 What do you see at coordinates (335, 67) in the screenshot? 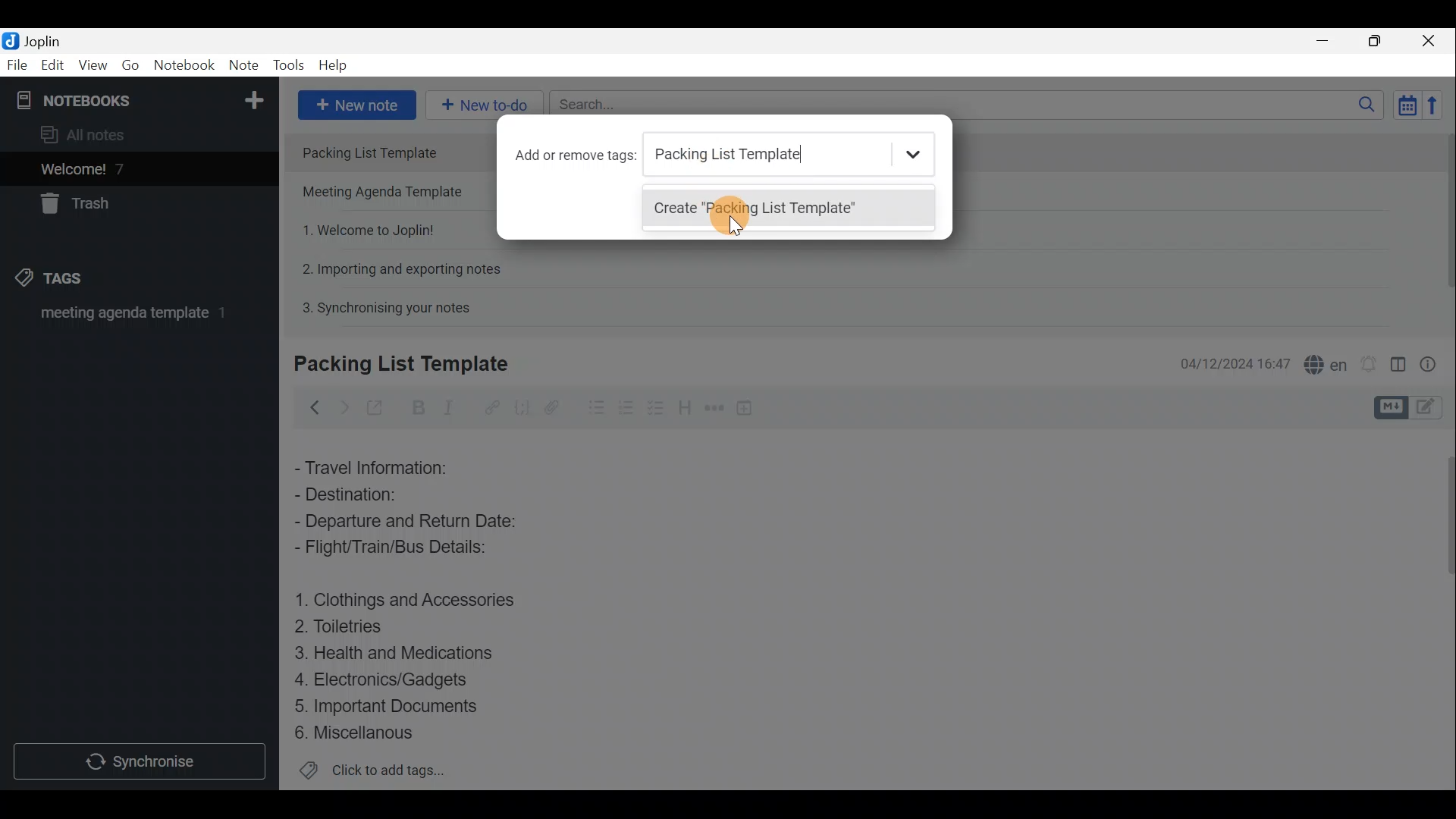
I see `Help` at bounding box center [335, 67].